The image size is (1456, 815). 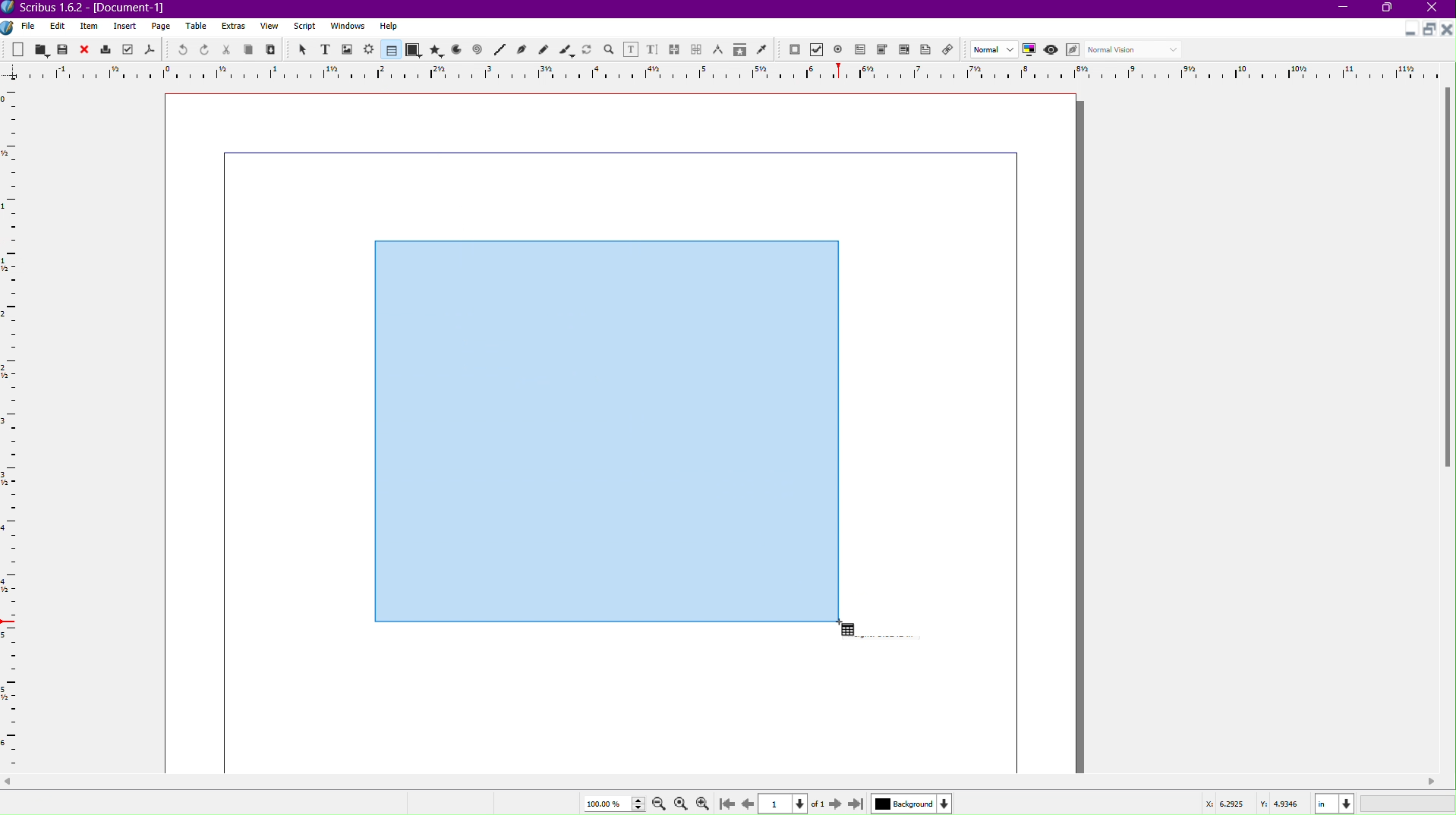 I want to click on Save, so click(x=64, y=49).